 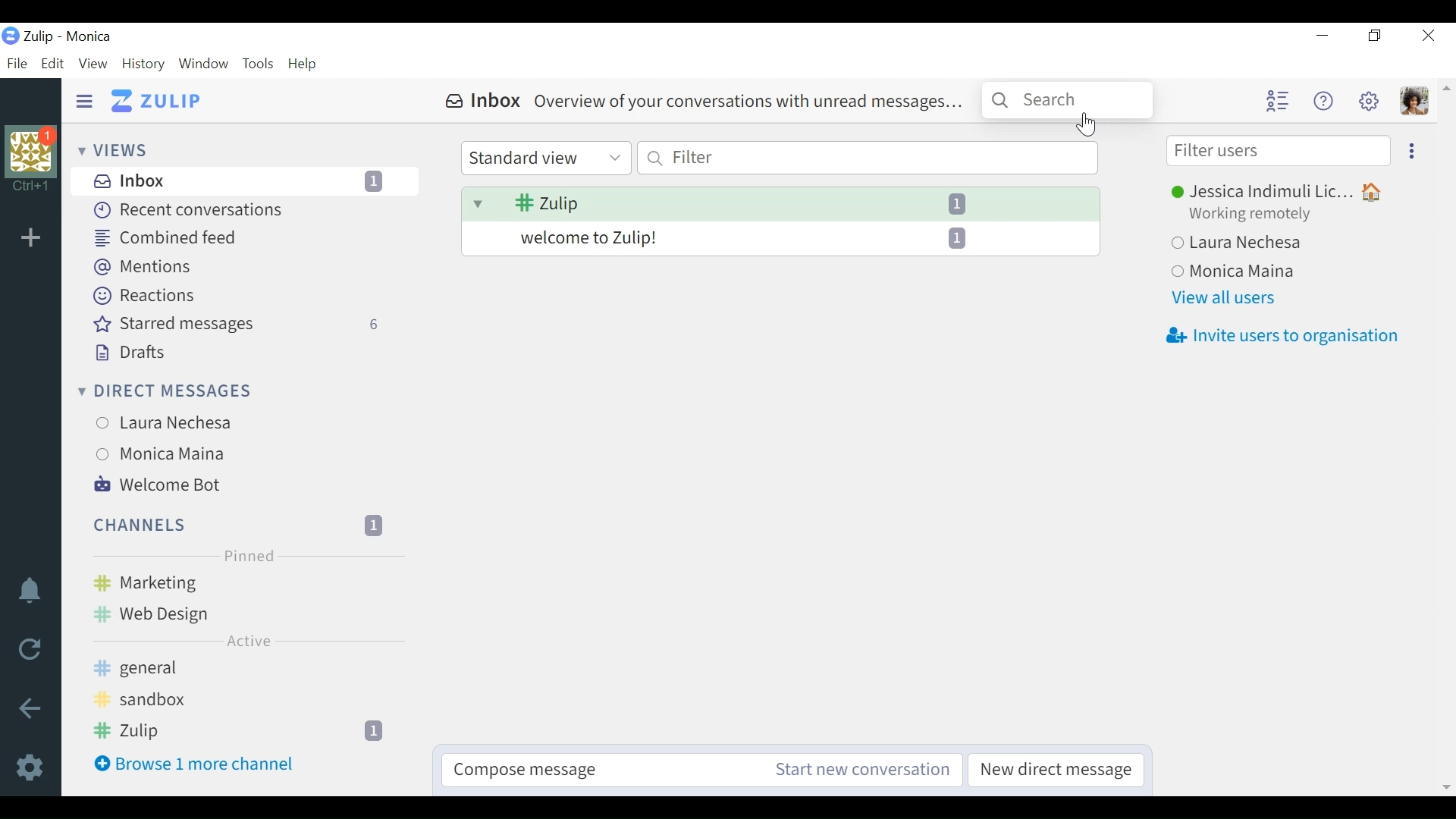 What do you see at coordinates (783, 201) in the screenshot?
I see `Zulip` at bounding box center [783, 201].